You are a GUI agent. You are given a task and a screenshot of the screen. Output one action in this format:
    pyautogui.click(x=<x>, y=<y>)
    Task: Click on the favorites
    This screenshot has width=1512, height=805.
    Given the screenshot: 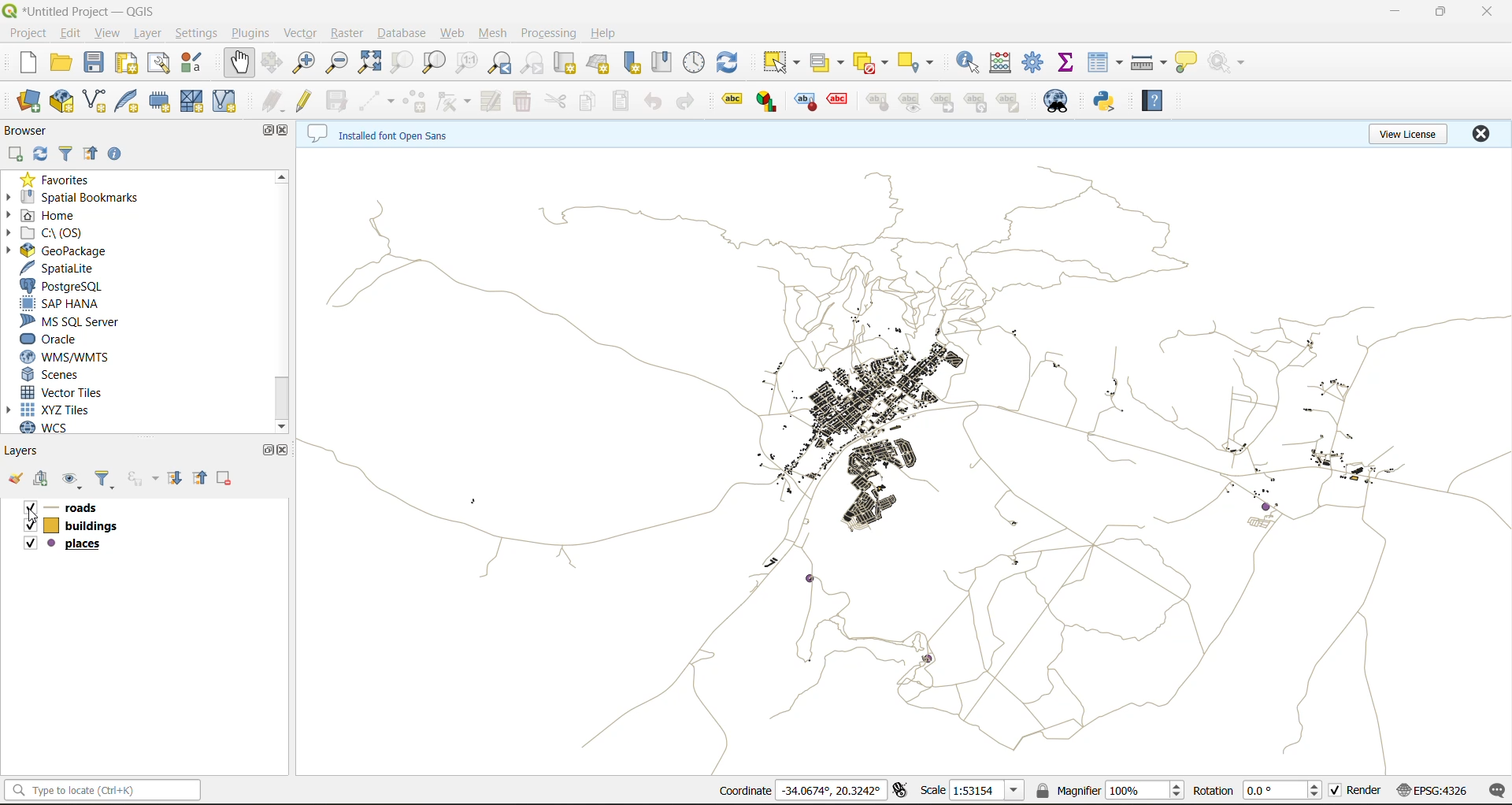 What is the action you would take?
    pyautogui.click(x=61, y=180)
    